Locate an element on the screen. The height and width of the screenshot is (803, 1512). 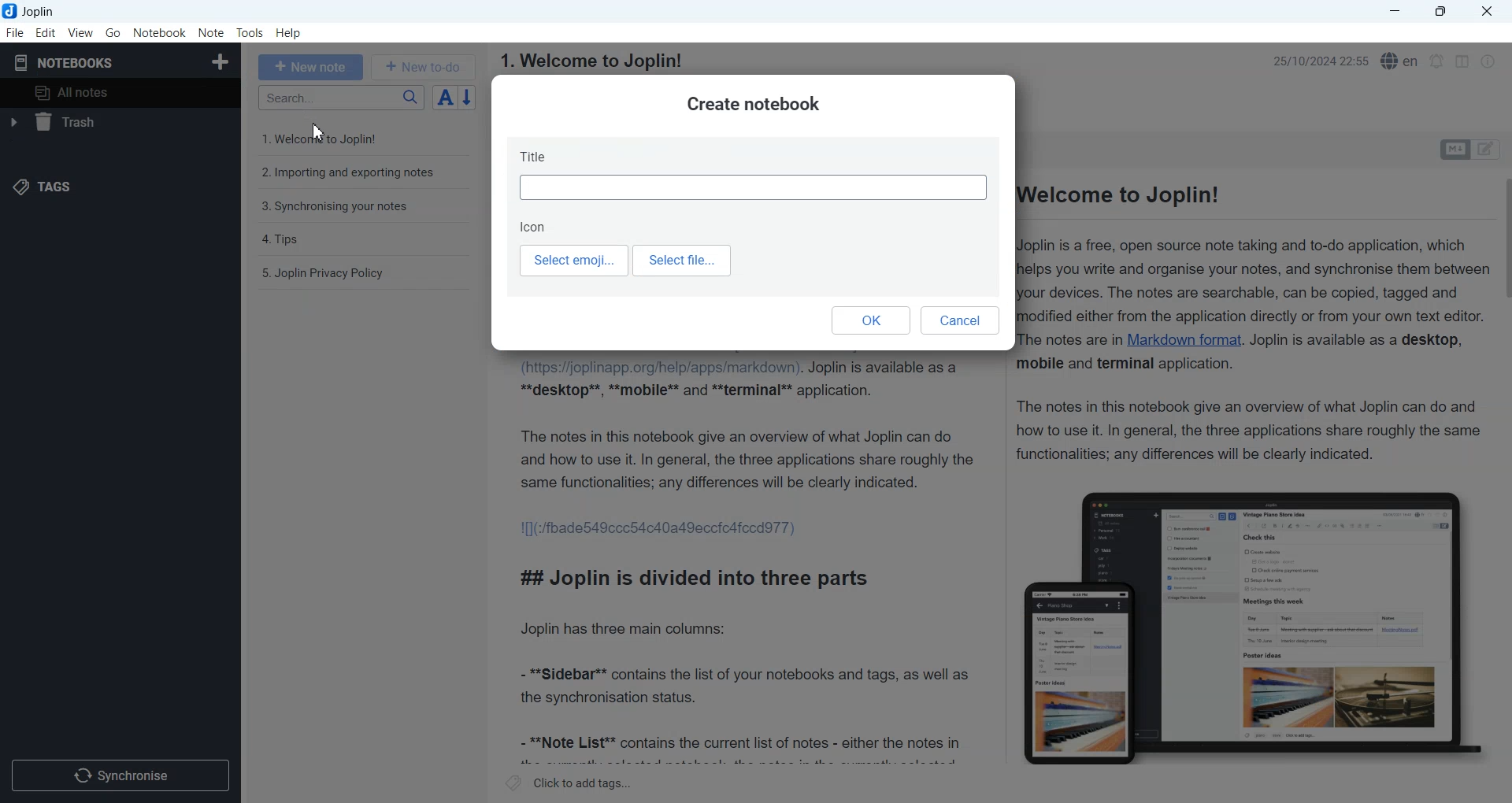
Toggle editors is located at coordinates (1489, 150).